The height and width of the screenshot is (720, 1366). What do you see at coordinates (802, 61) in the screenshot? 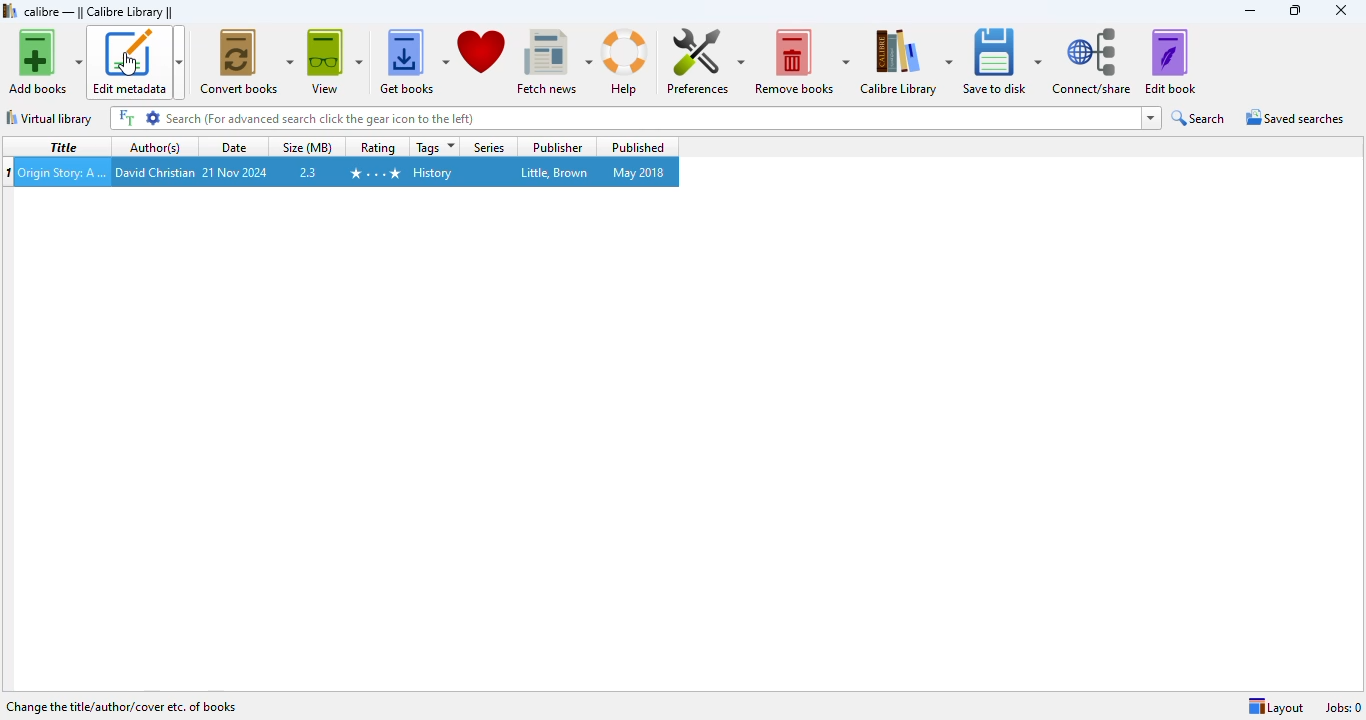
I see `remove books` at bounding box center [802, 61].